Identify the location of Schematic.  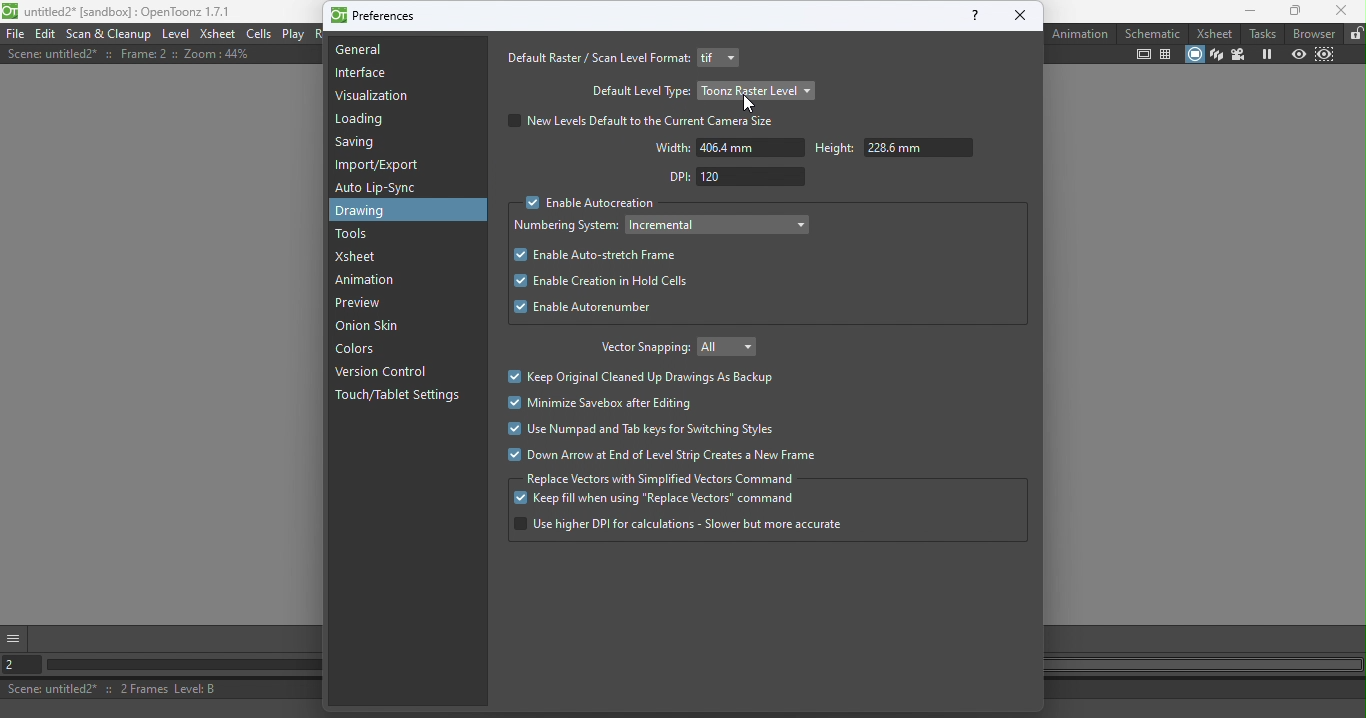
(1153, 33).